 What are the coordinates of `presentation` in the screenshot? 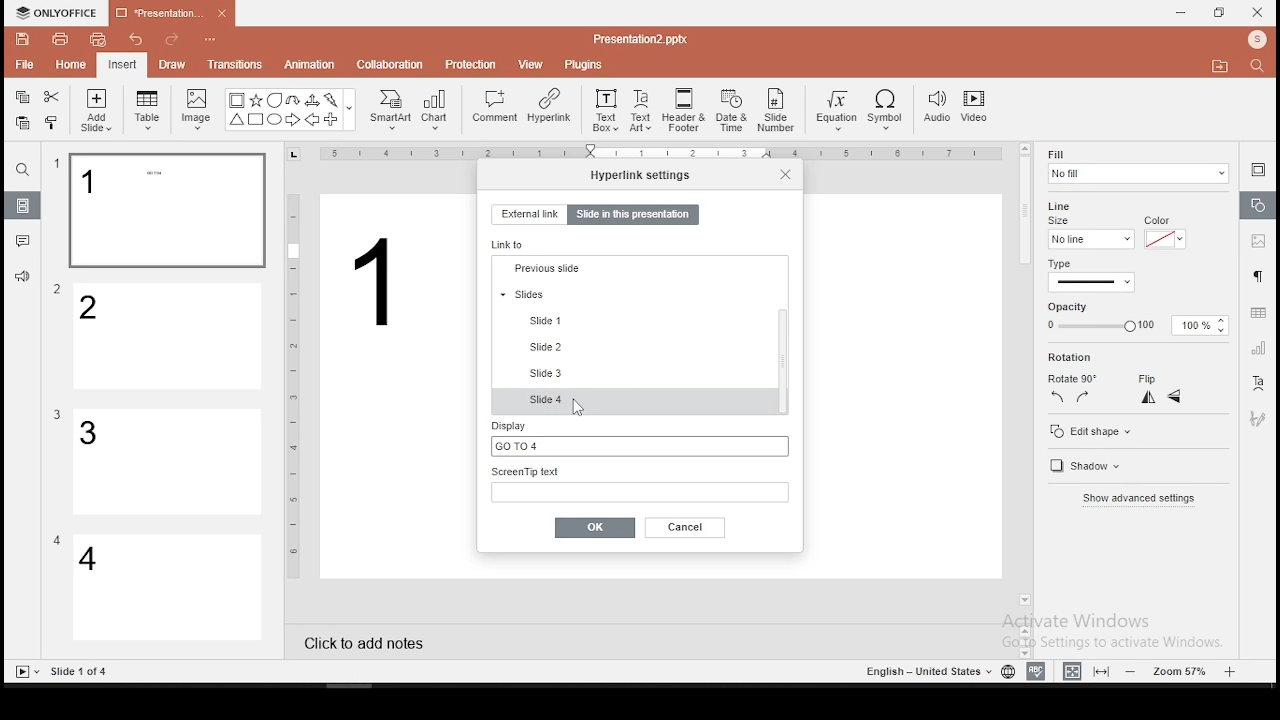 It's located at (169, 15).